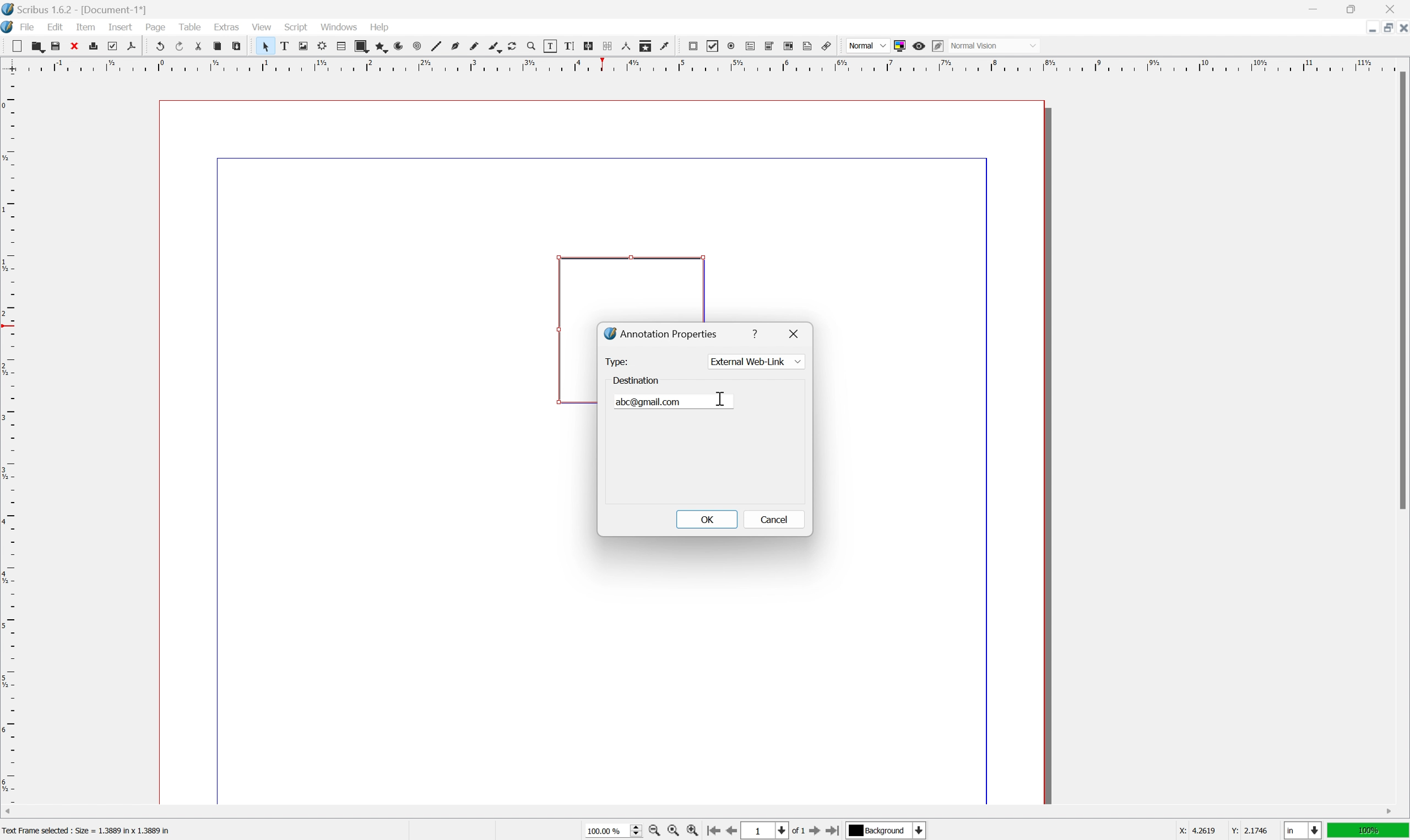  What do you see at coordinates (1401, 30) in the screenshot?
I see `close` at bounding box center [1401, 30].